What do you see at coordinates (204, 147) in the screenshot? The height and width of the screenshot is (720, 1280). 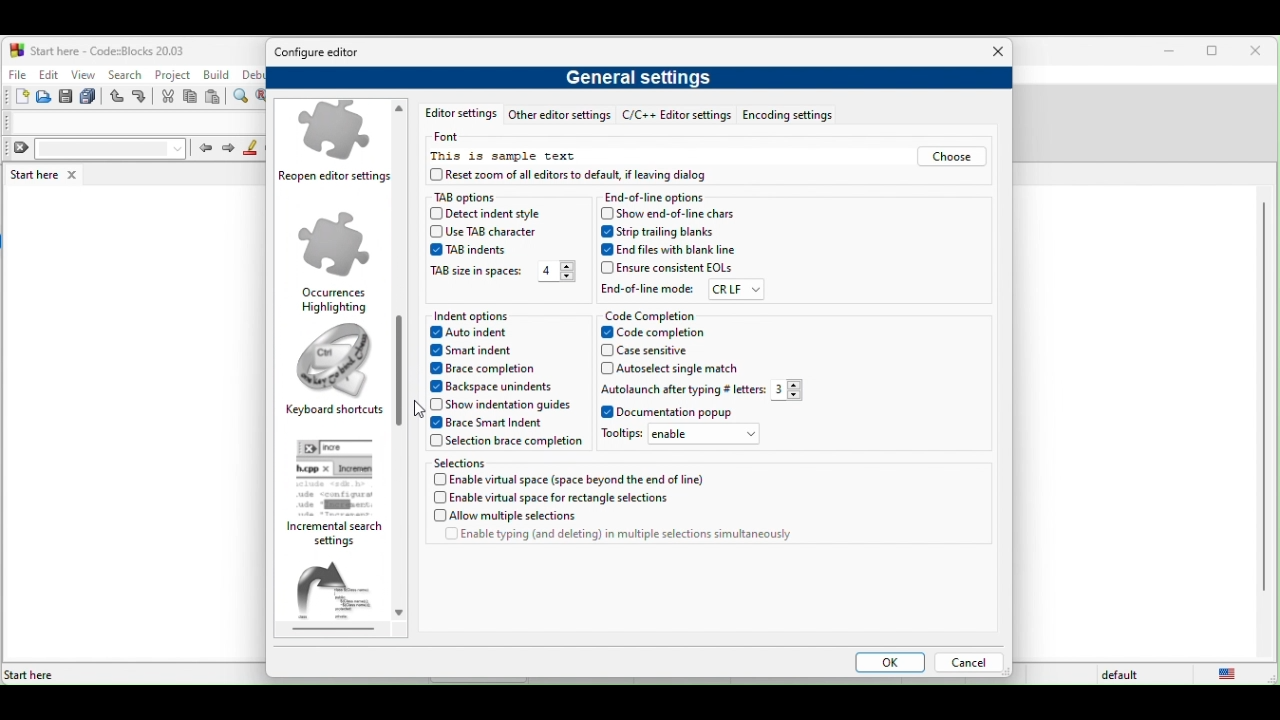 I see `prev` at bounding box center [204, 147].